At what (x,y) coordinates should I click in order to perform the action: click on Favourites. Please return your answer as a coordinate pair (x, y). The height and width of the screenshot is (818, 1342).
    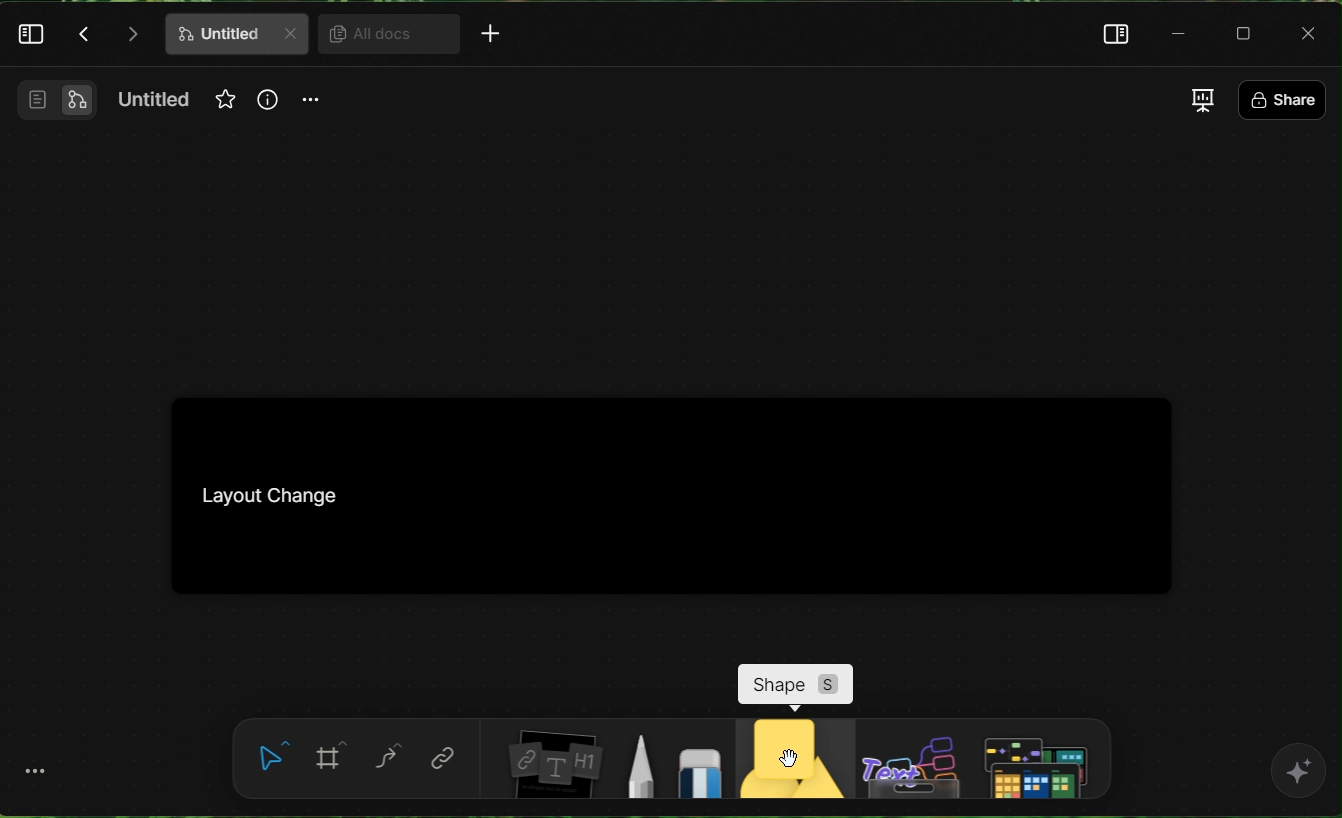
    Looking at the image, I should click on (223, 98).